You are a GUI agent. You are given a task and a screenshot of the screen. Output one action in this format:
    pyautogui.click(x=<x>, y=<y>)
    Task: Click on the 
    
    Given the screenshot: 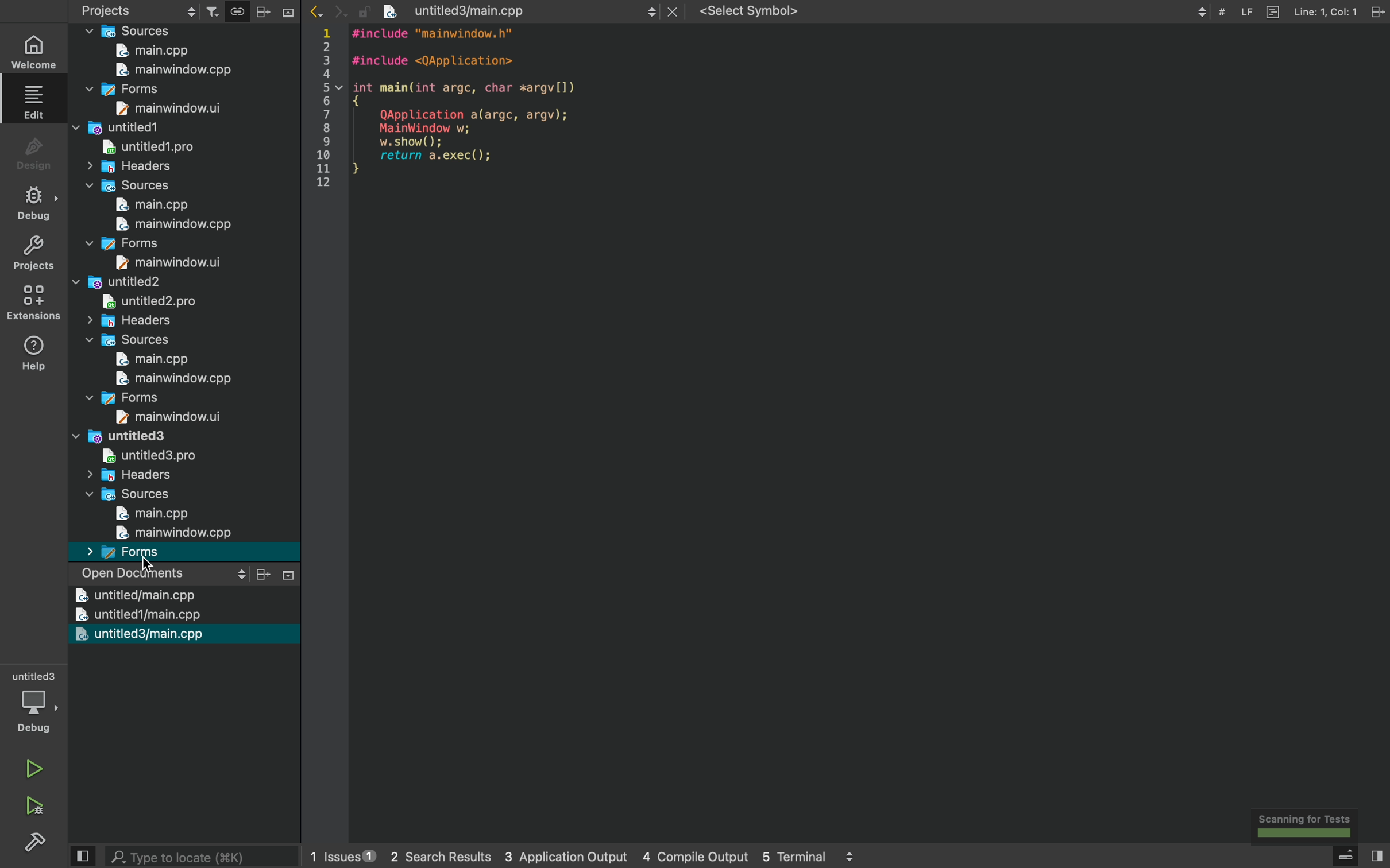 What is the action you would take?
    pyautogui.click(x=1360, y=855)
    